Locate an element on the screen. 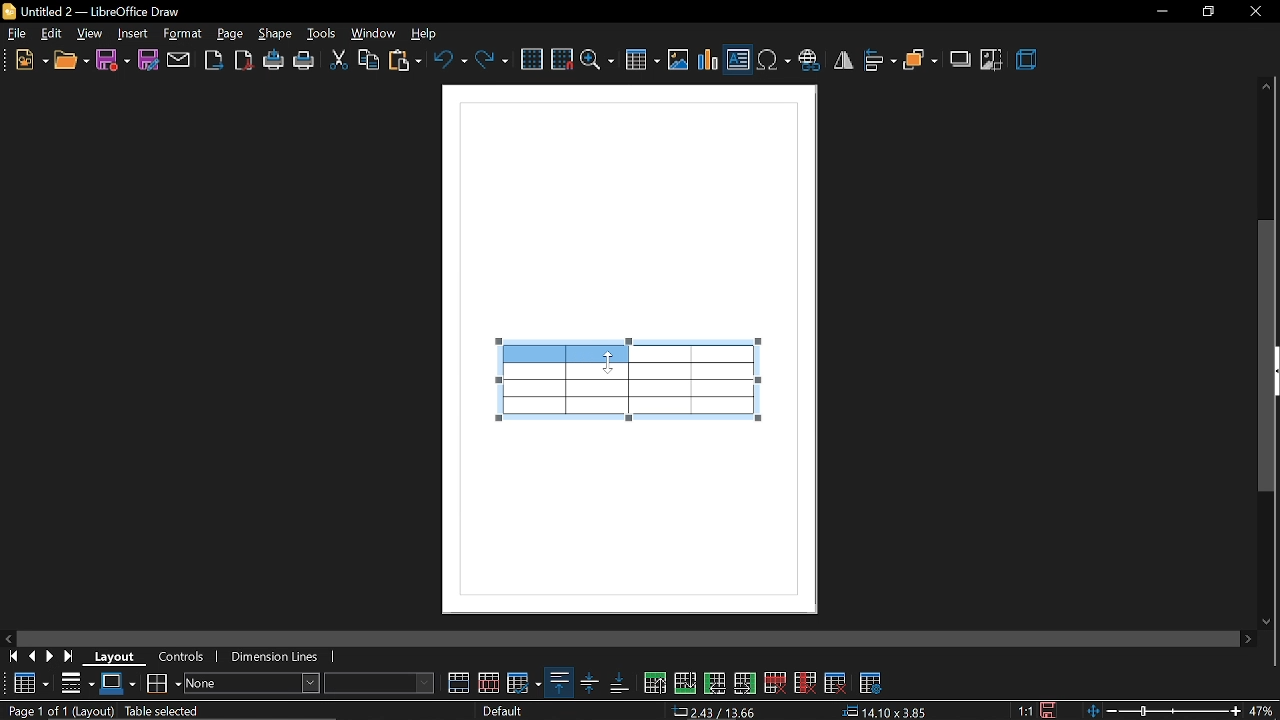  undo is located at coordinates (450, 61).